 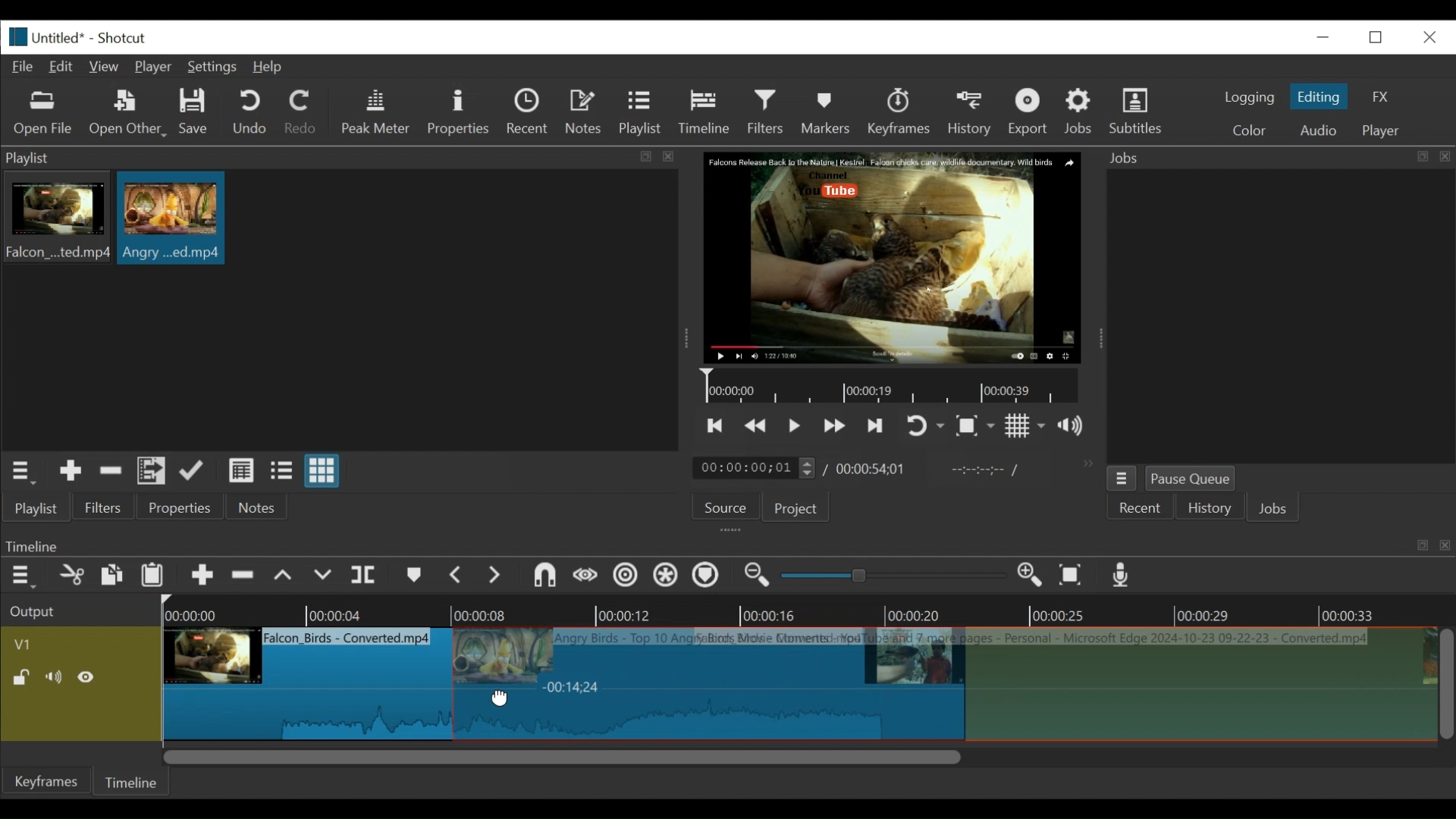 I want to click on Add files to playlist, so click(x=152, y=473).